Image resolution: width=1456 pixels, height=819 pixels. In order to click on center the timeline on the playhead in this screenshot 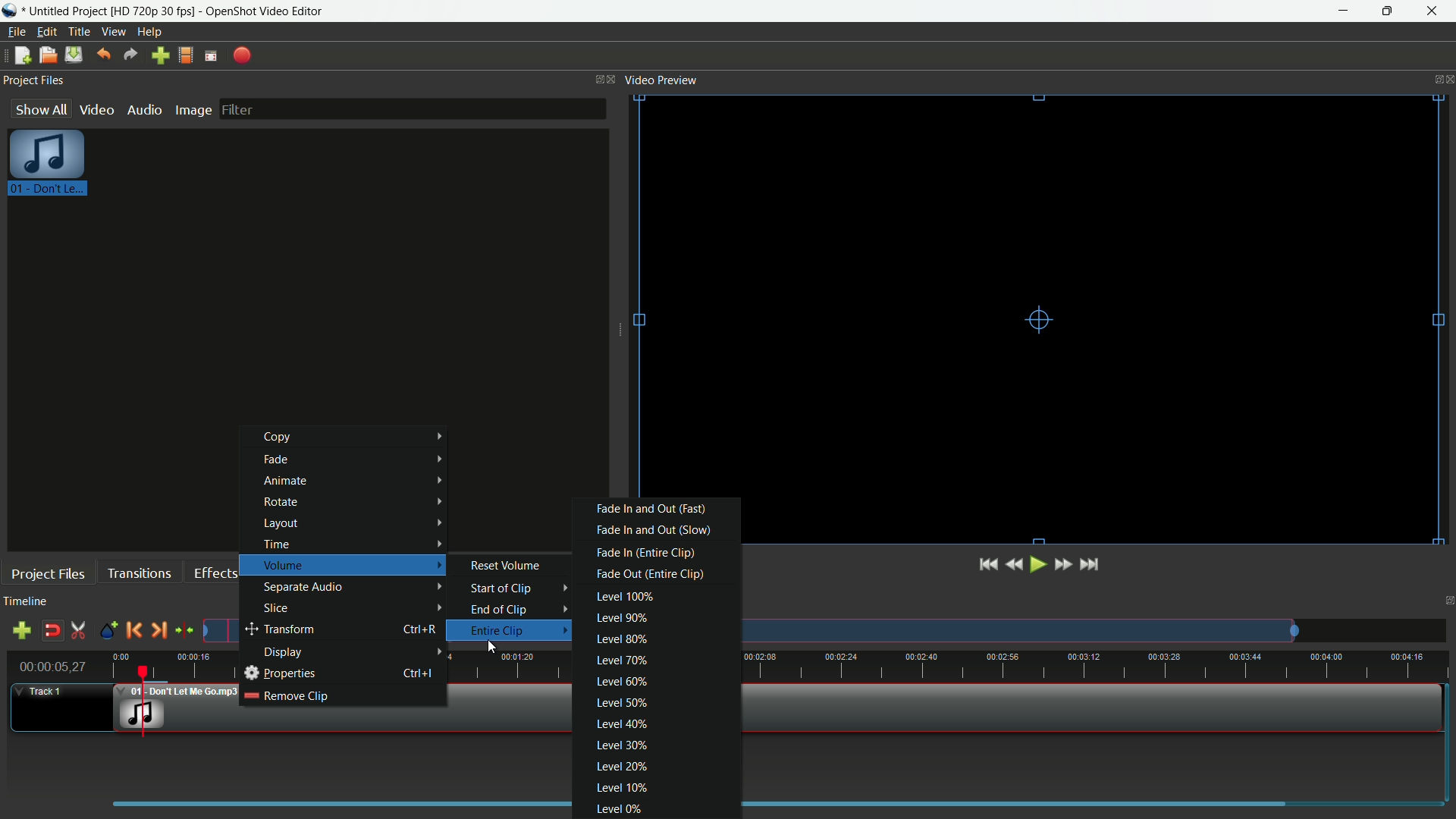, I will do `click(184, 631)`.